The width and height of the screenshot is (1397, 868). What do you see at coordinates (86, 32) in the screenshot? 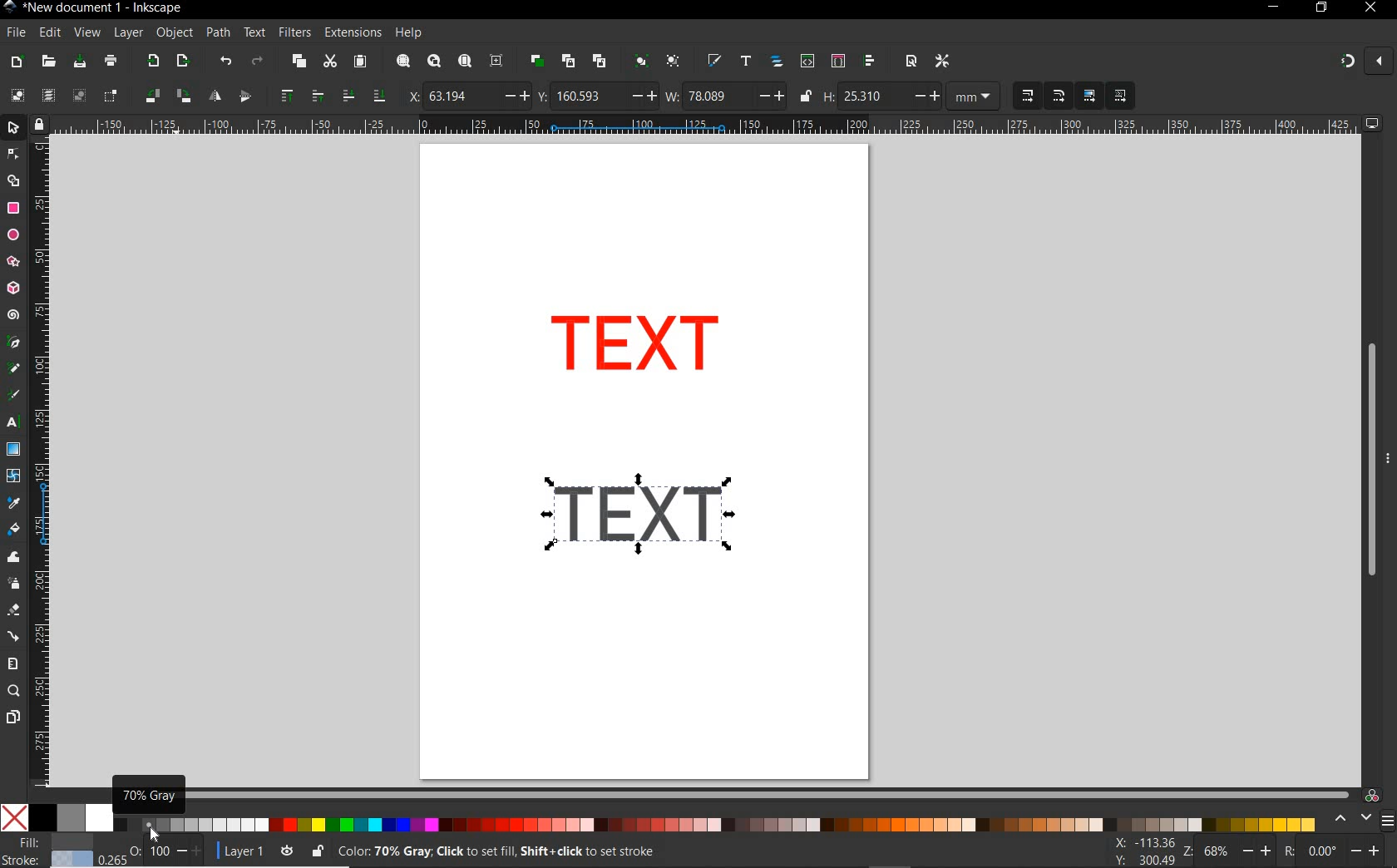
I see `view` at bounding box center [86, 32].